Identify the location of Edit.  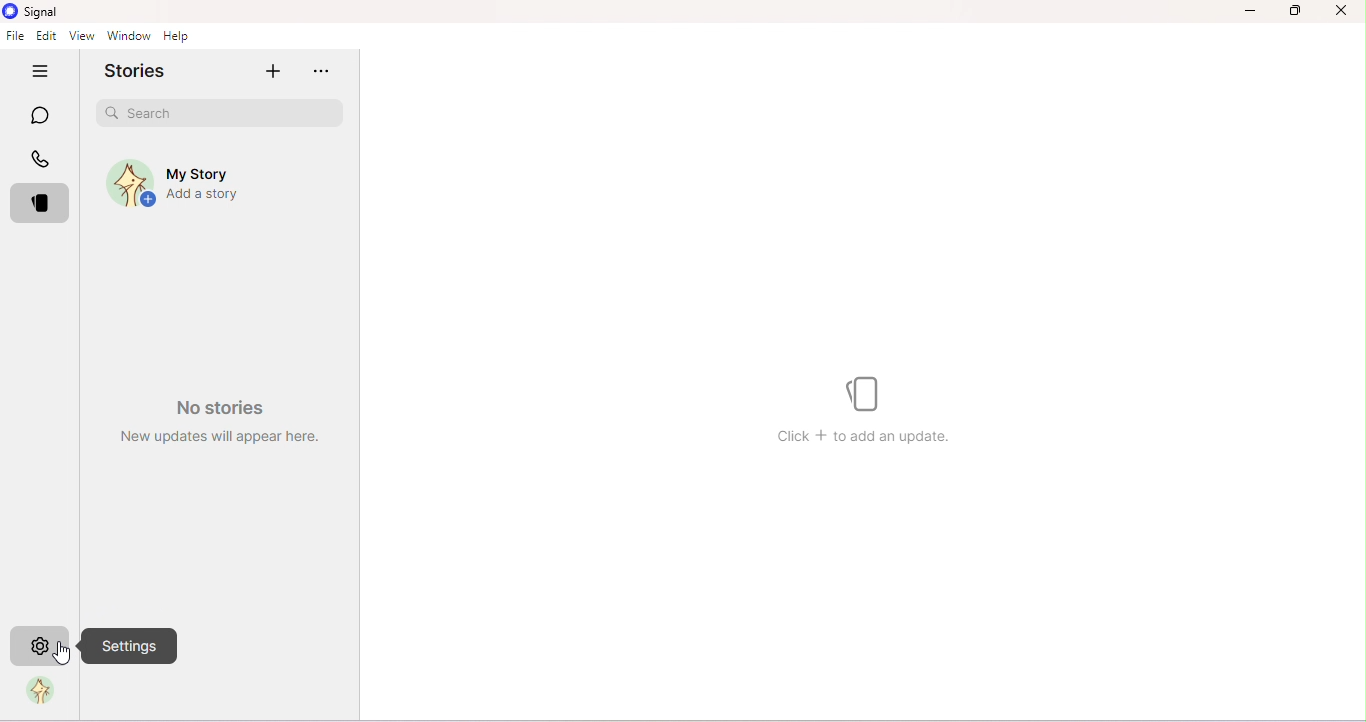
(48, 38).